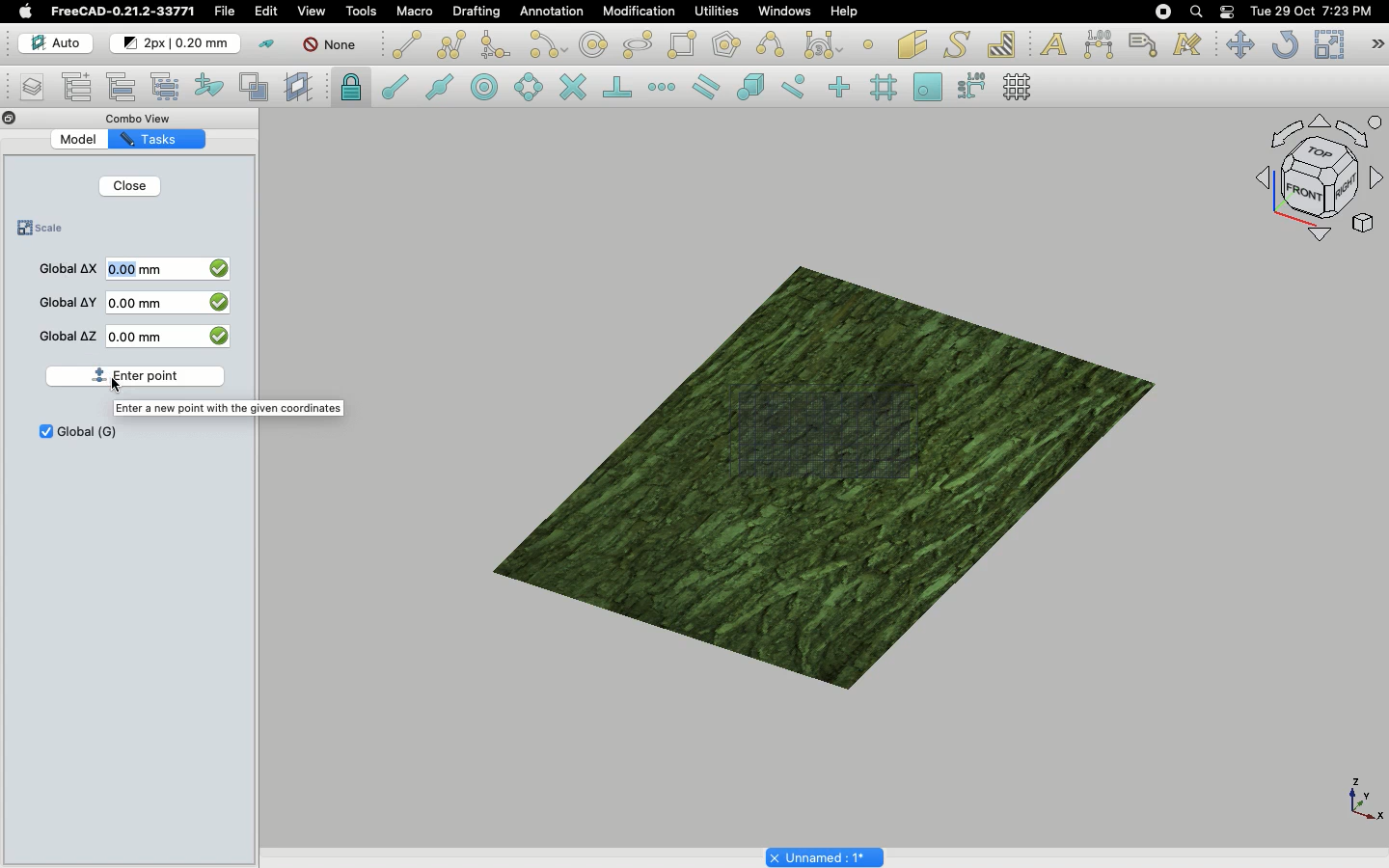  I want to click on None, so click(329, 46).